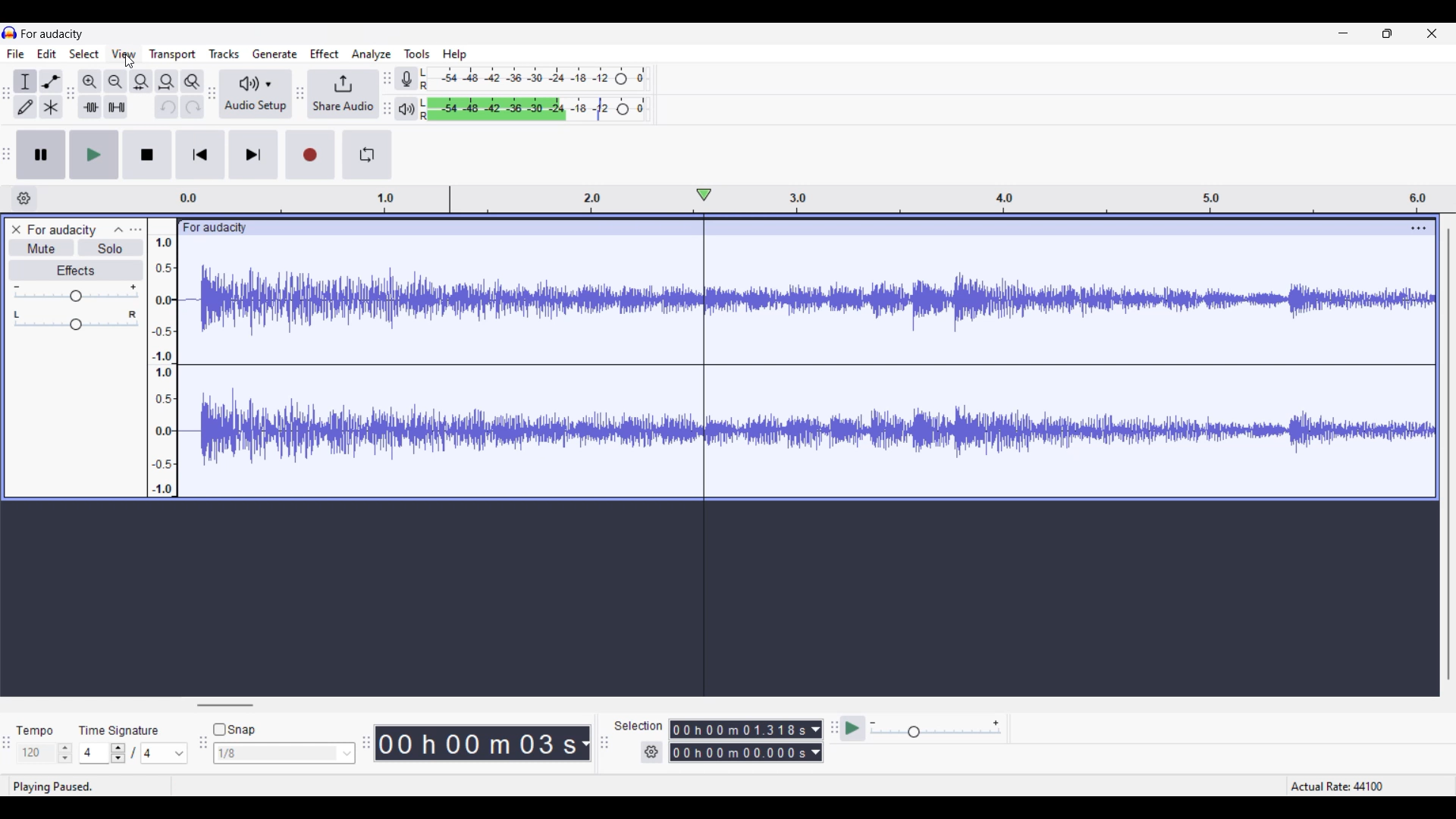  What do you see at coordinates (193, 107) in the screenshot?
I see `Redo` at bounding box center [193, 107].